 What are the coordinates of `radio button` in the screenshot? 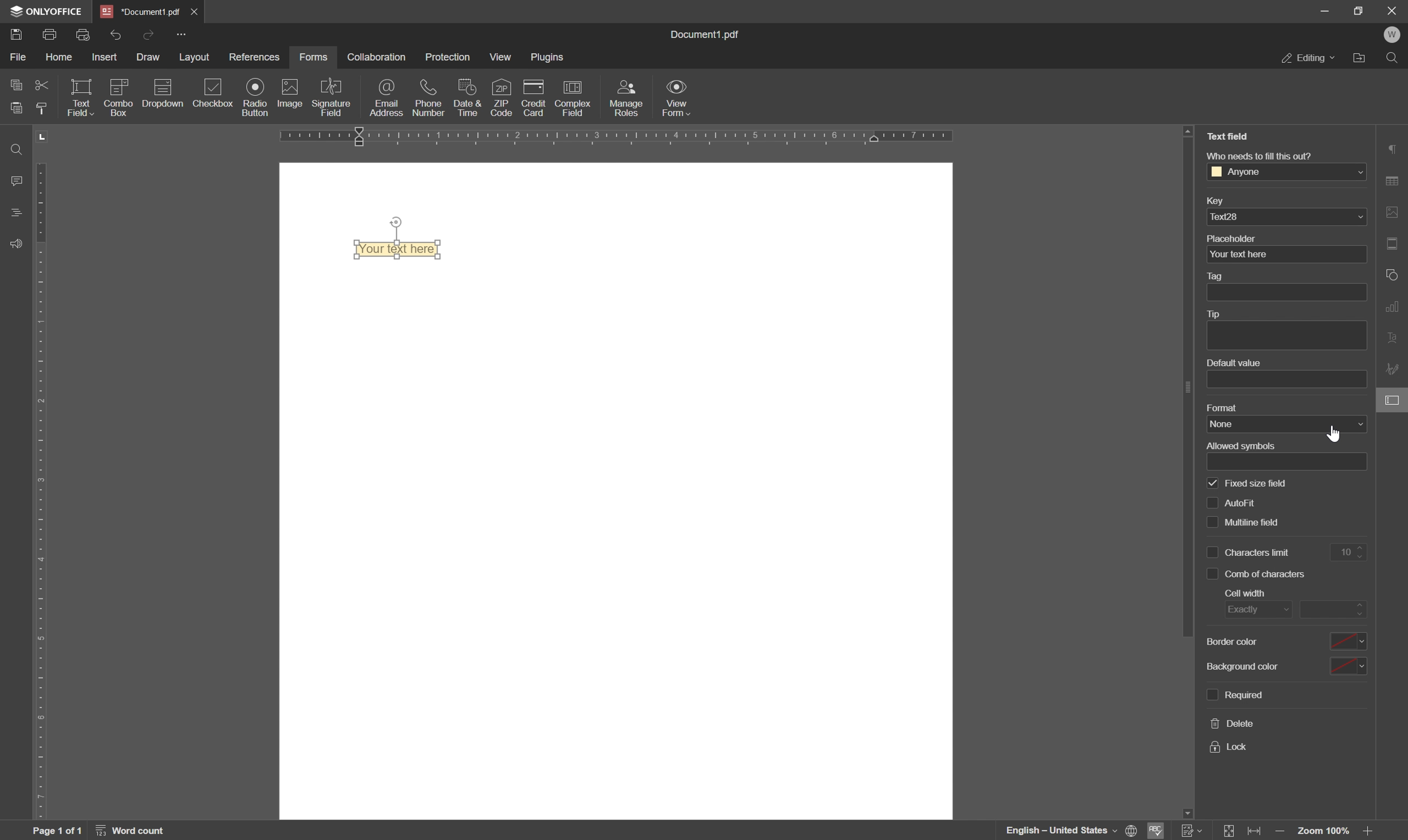 It's located at (254, 98).